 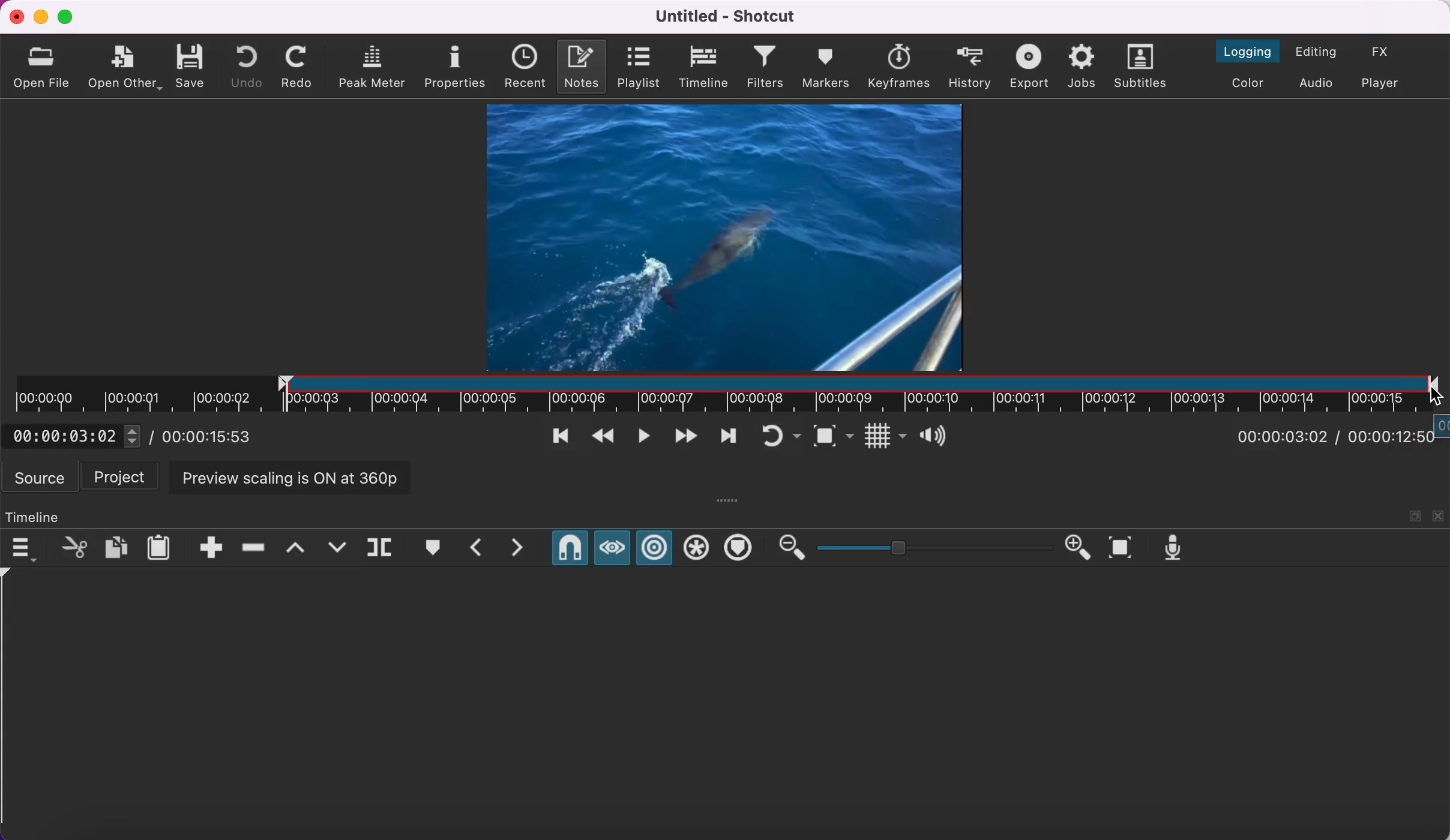 I want to click on ripple all tracks, so click(x=696, y=550).